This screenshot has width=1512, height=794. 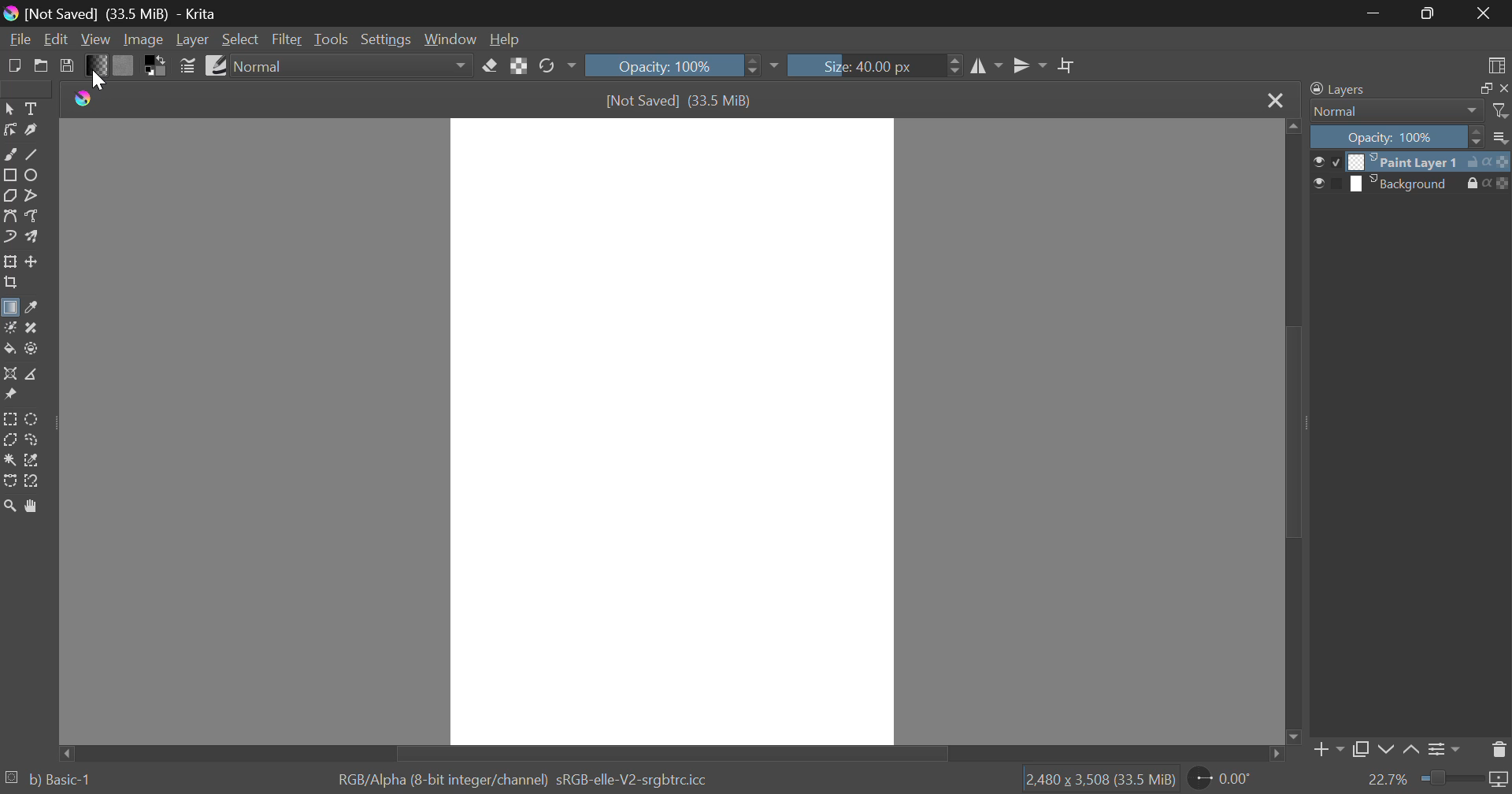 What do you see at coordinates (674, 752) in the screenshot?
I see `Scroll Bar` at bounding box center [674, 752].